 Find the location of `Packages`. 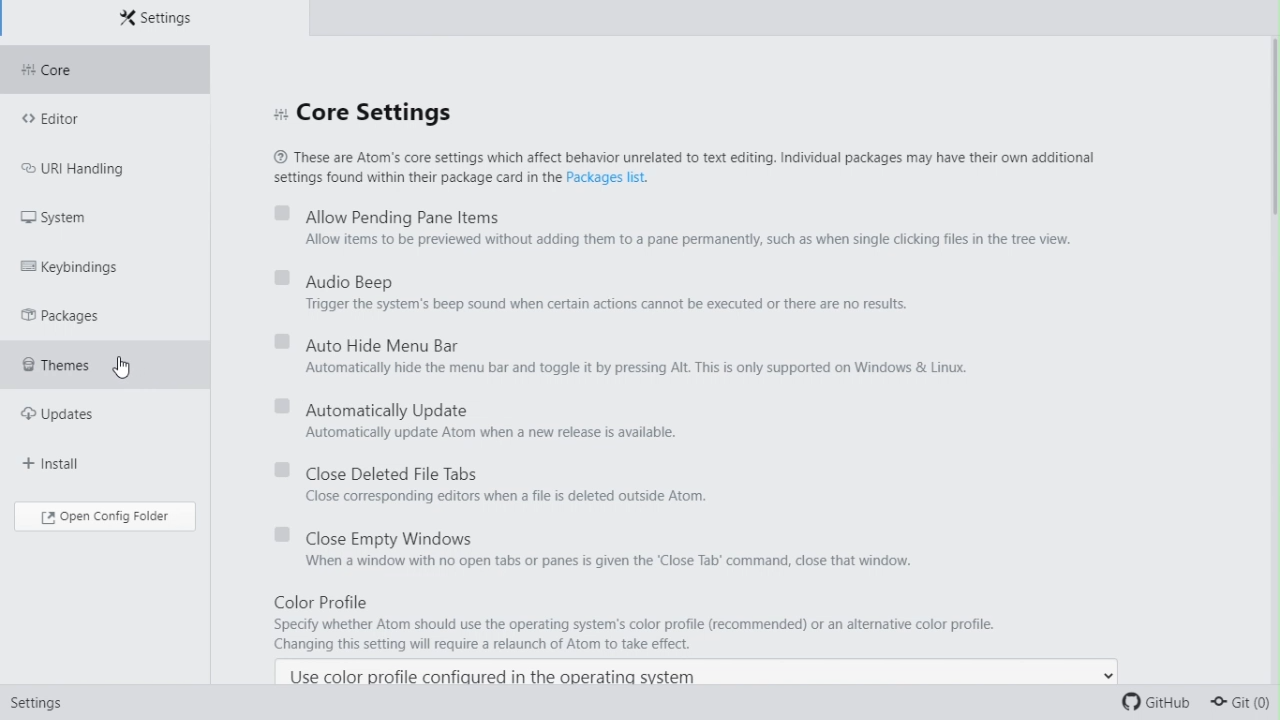

Packages is located at coordinates (67, 316).